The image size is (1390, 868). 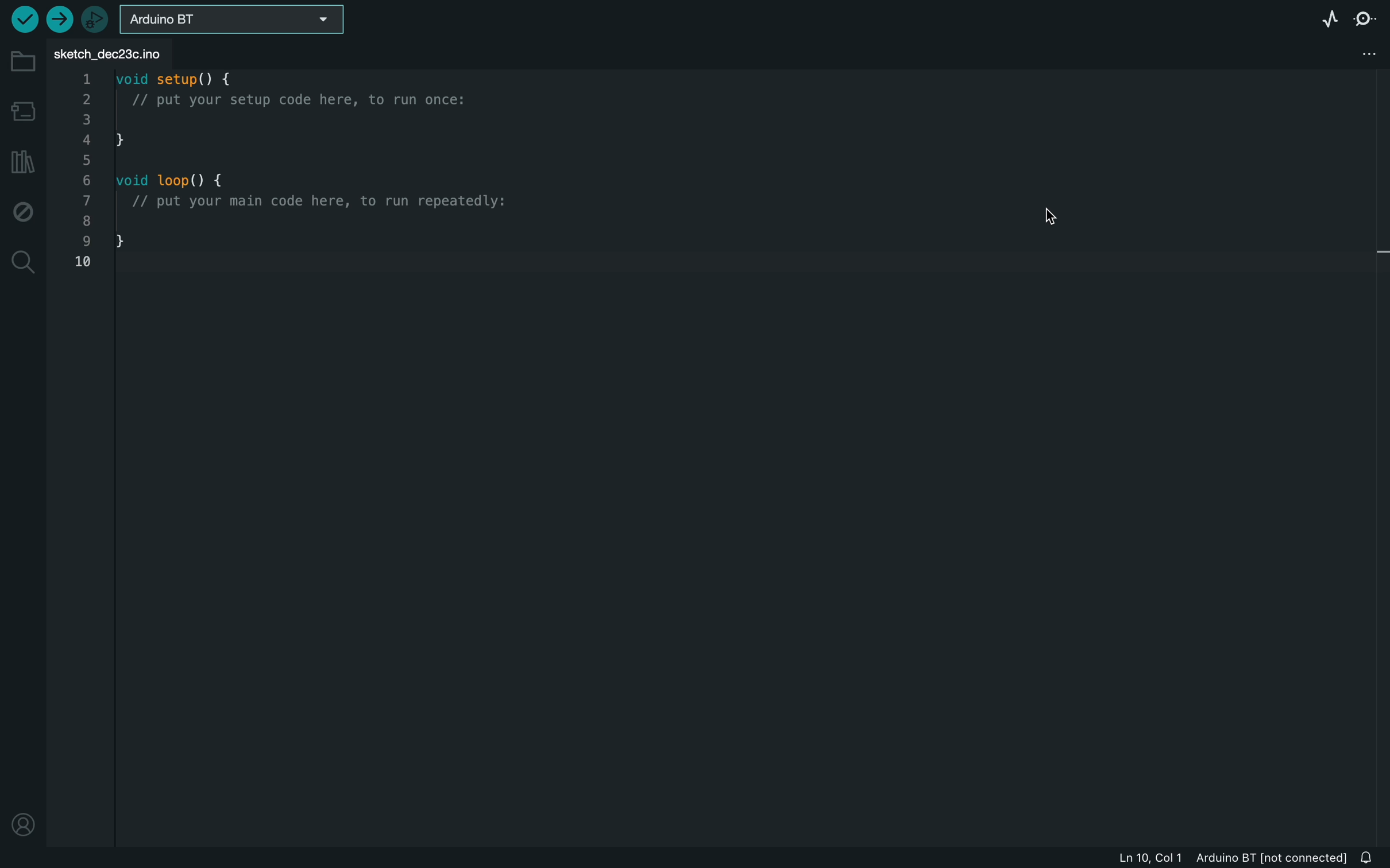 I want to click on file setting, so click(x=1364, y=51).